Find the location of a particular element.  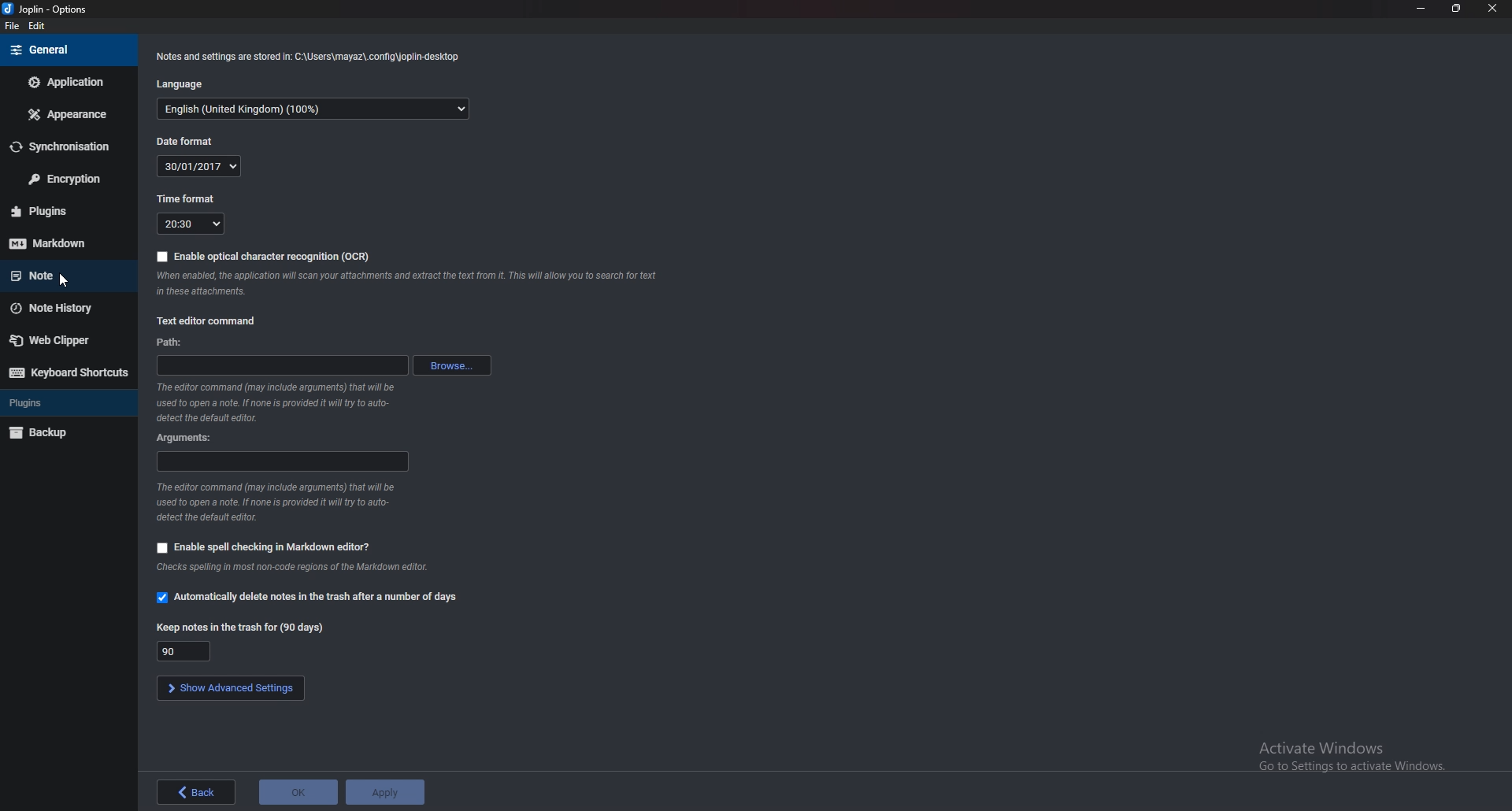

back is located at coordinates (197, 790).